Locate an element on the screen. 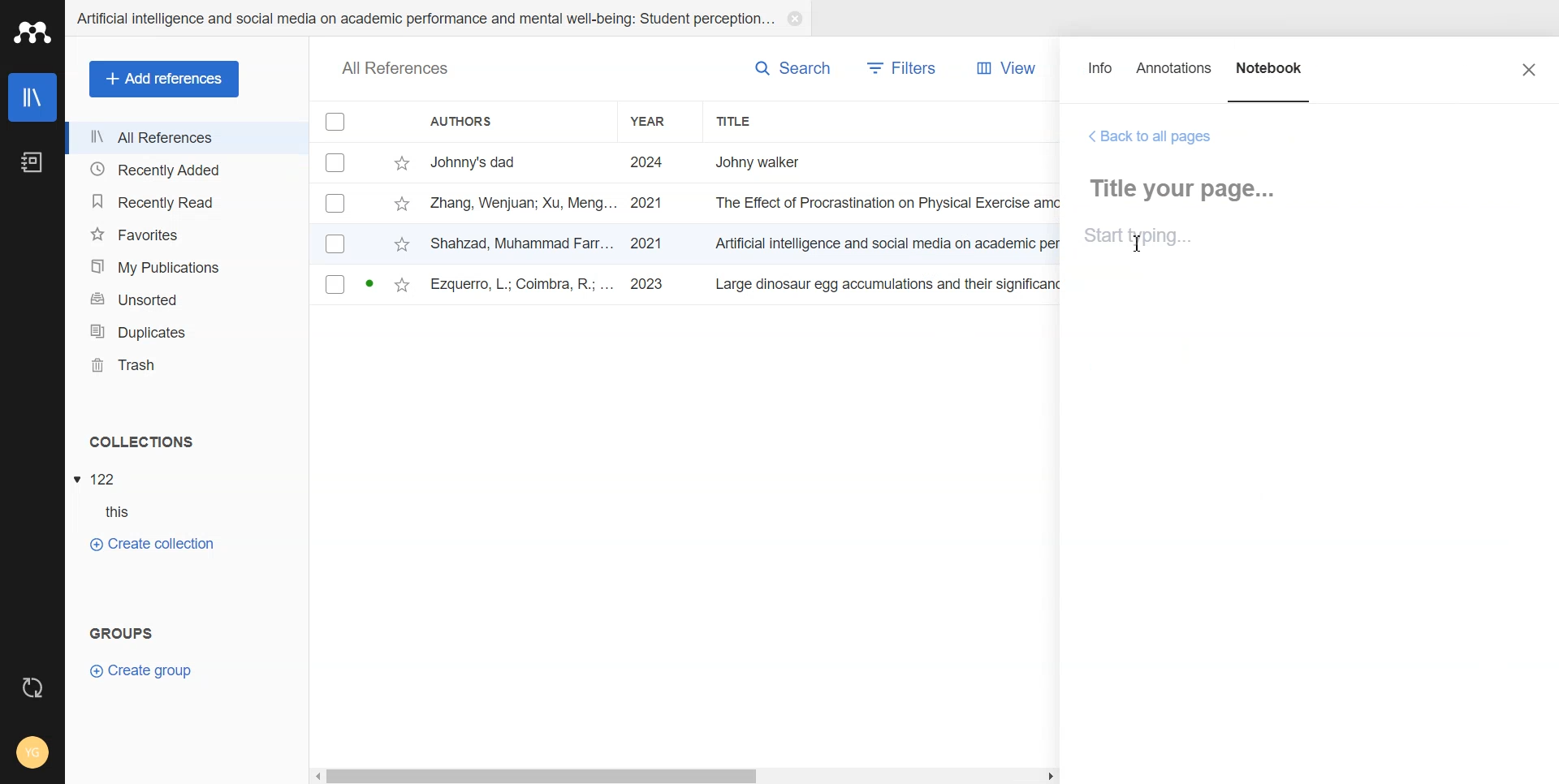 This screenshot has width=1559, height=784. Title is located at coordinates (767, 121).